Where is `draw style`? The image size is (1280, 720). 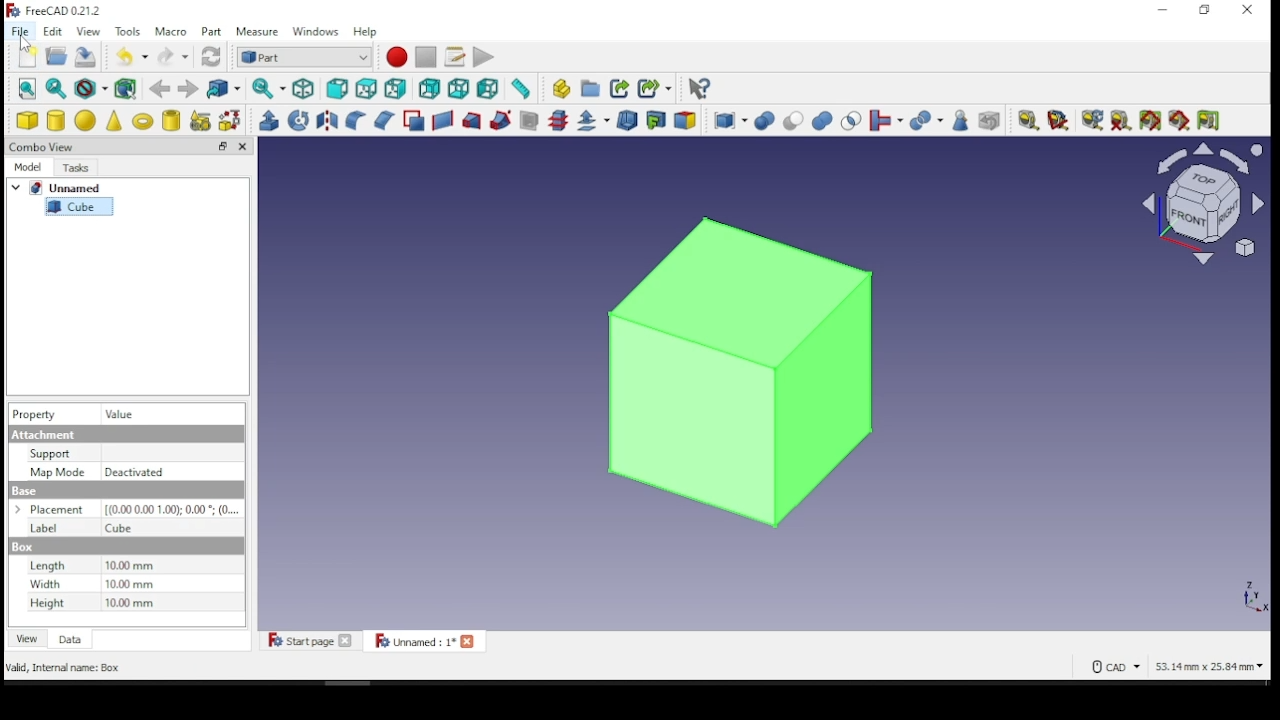 draw style is located at coordinates (92, 89).